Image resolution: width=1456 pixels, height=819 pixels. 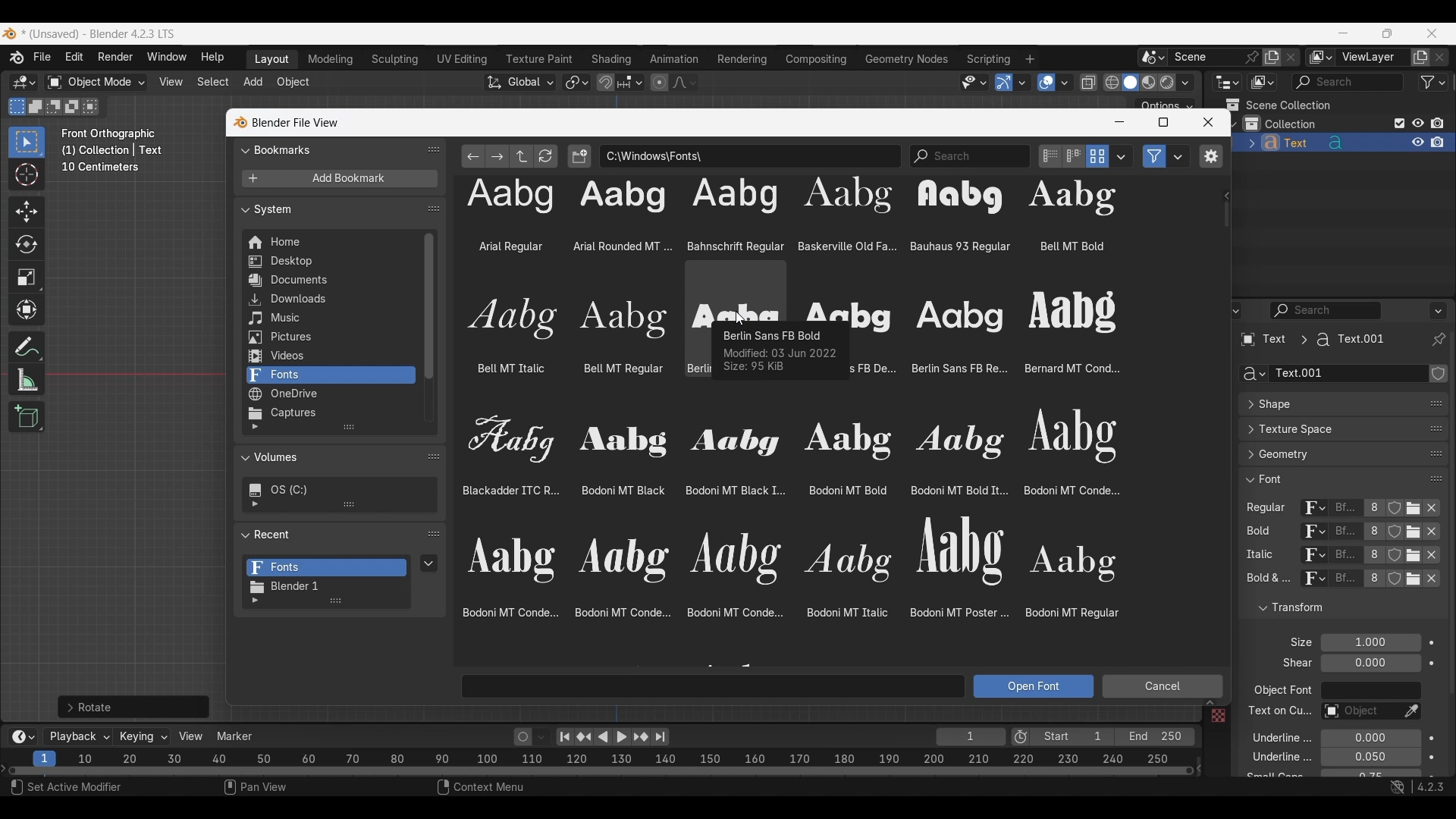 What do you see at coordinates (1438, 340) in the screenshot?
I see `Toggle pin ID` at bounding box center [1438, 340].